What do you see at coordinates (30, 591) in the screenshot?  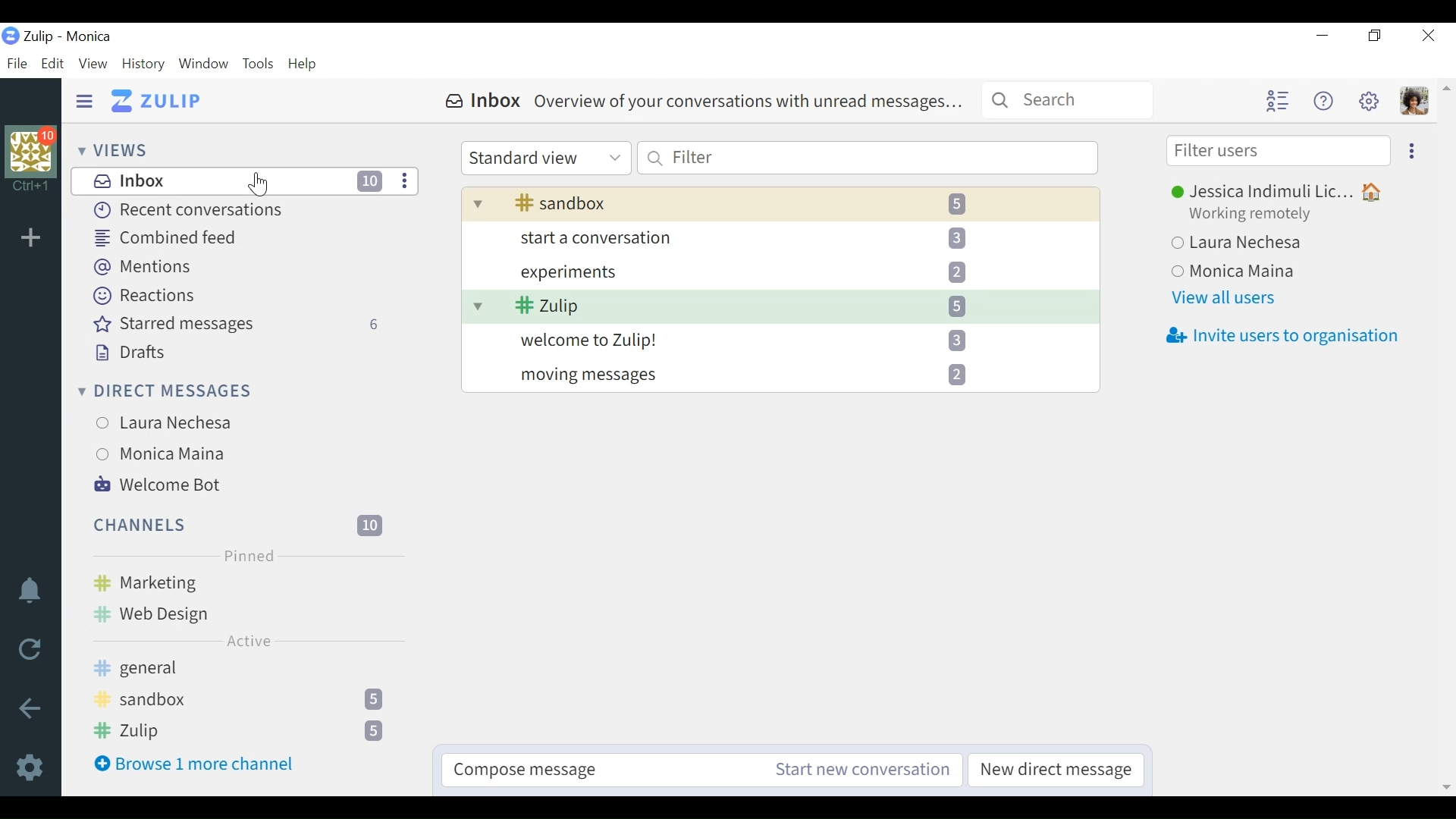 I see `Notifications` at bounding box center [30, 591].